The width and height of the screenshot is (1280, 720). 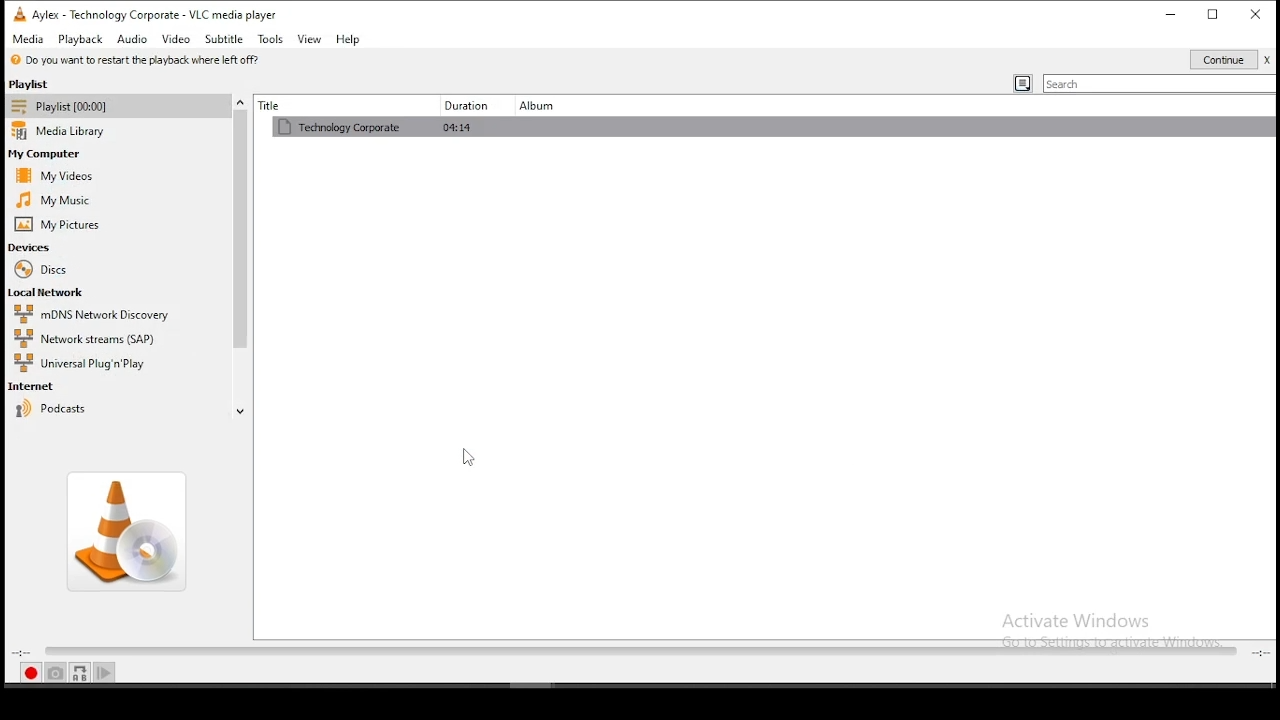 What do you see at coordinates (541, 104) in the screenshot?
I see `album` at bounding box center [541, 104].